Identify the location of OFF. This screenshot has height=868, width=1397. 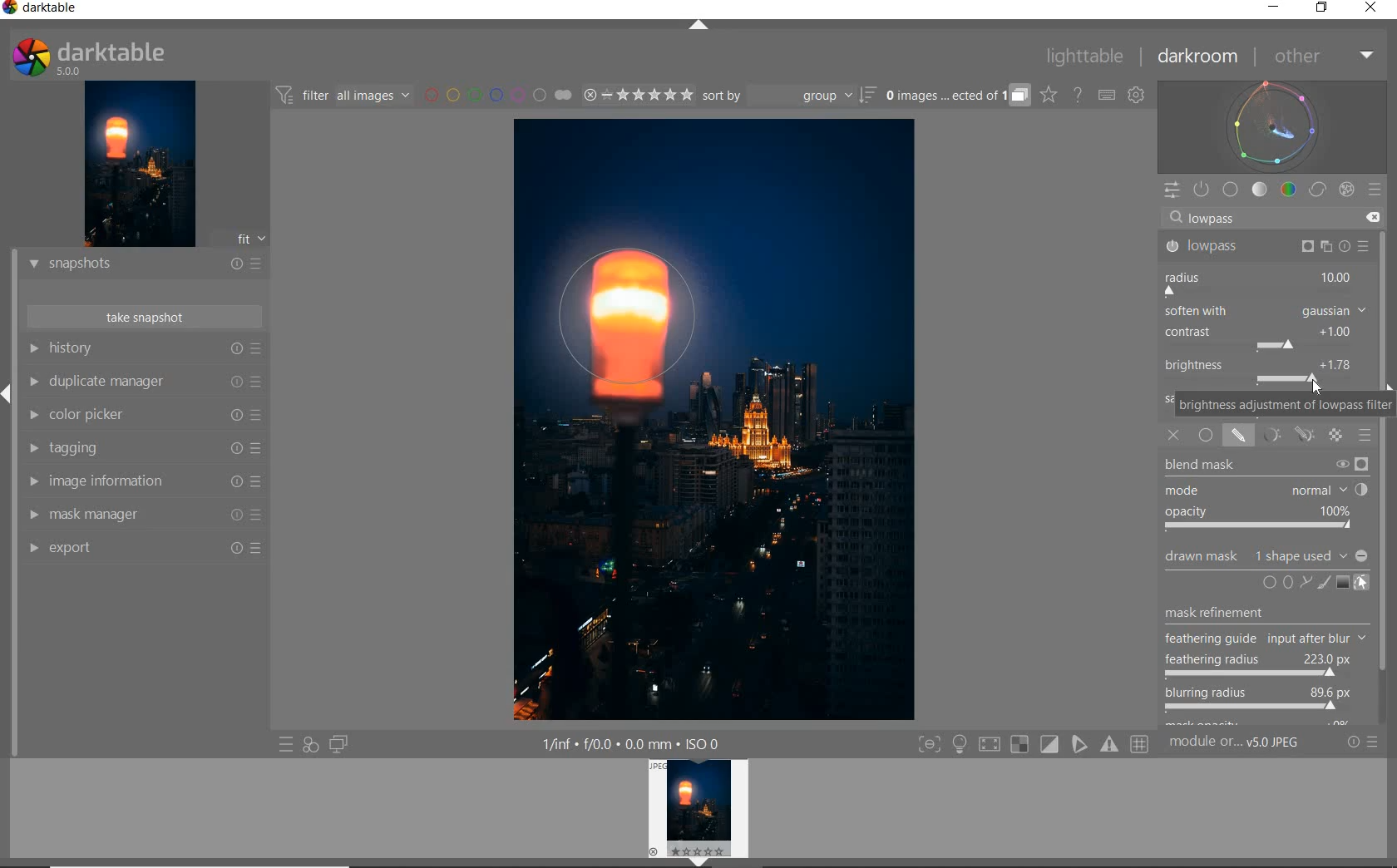
(1173, 436).